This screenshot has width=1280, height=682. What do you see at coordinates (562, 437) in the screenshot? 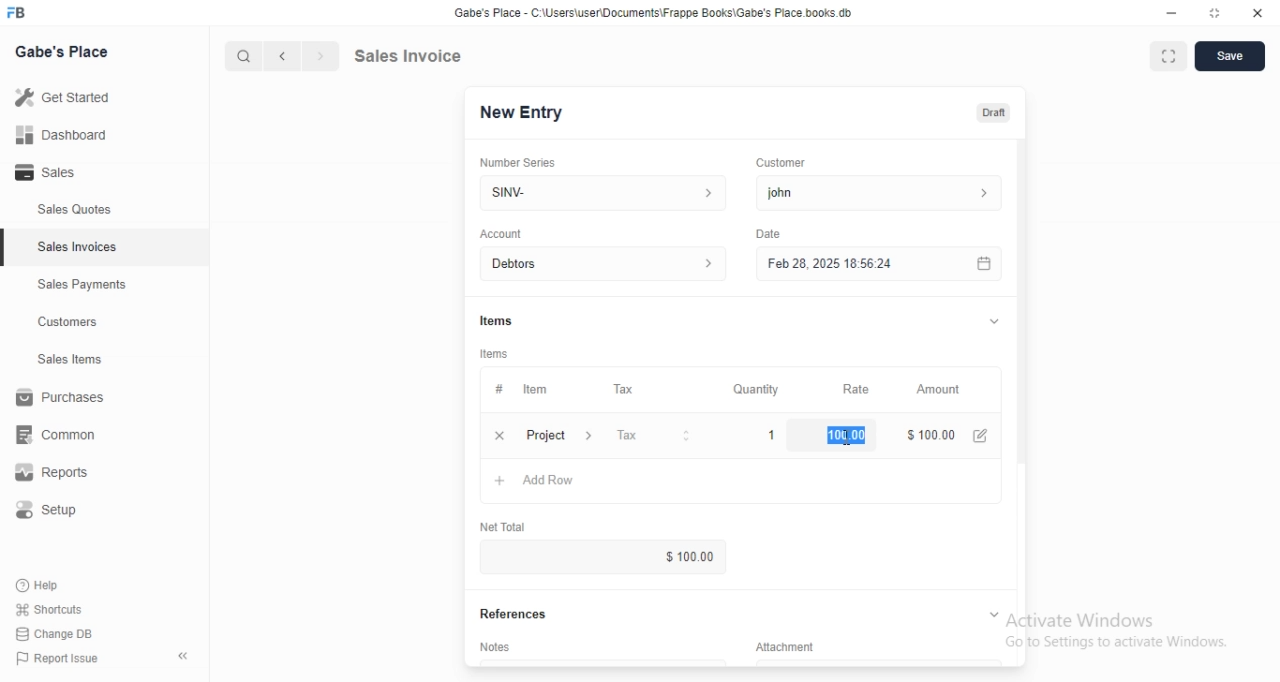
I see `Project` at bounding box center [562, 437].